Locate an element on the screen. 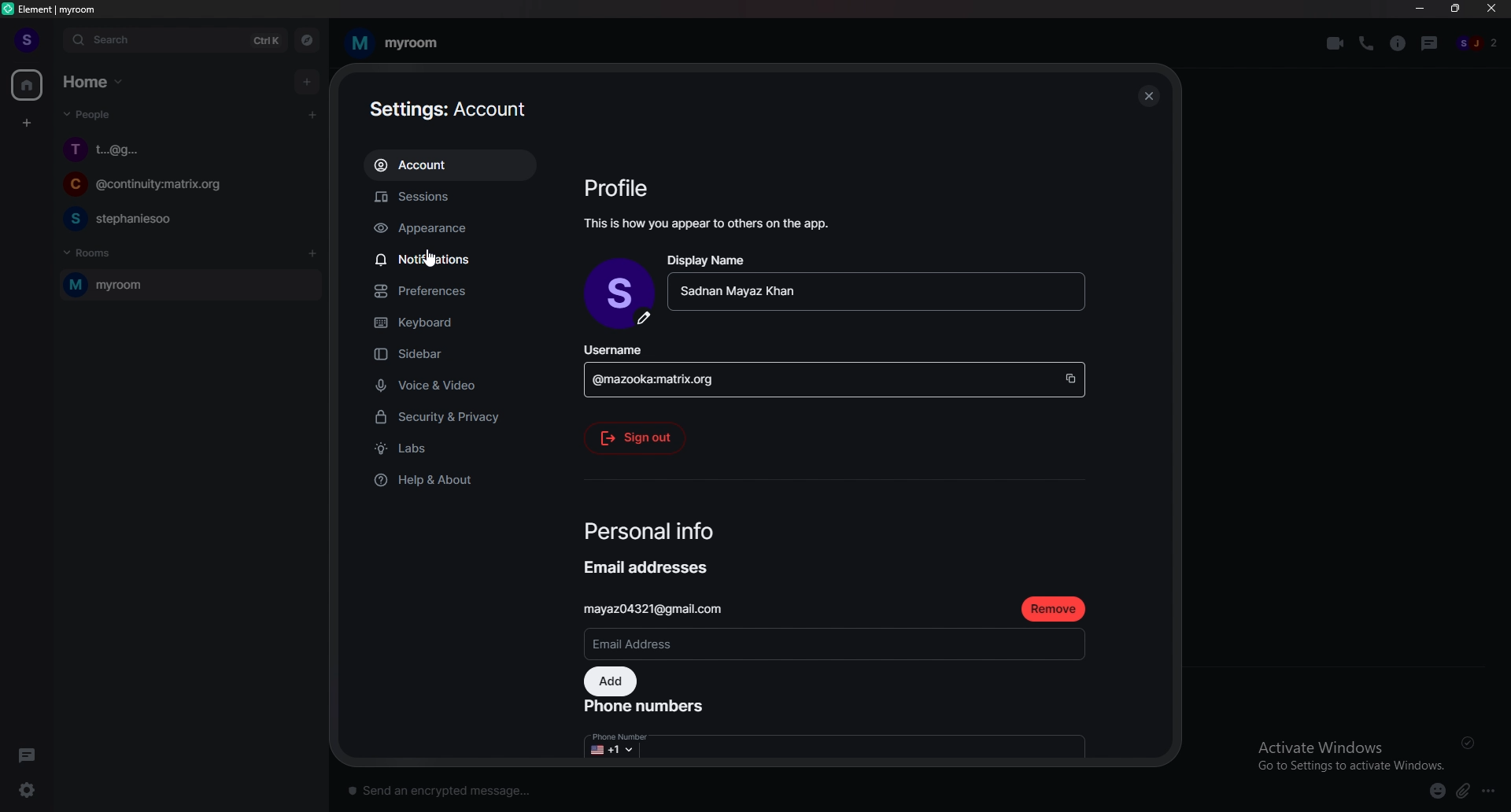 The height and width of the screenshot is (812, 1511). display photo is located at coordinates (619, 293).